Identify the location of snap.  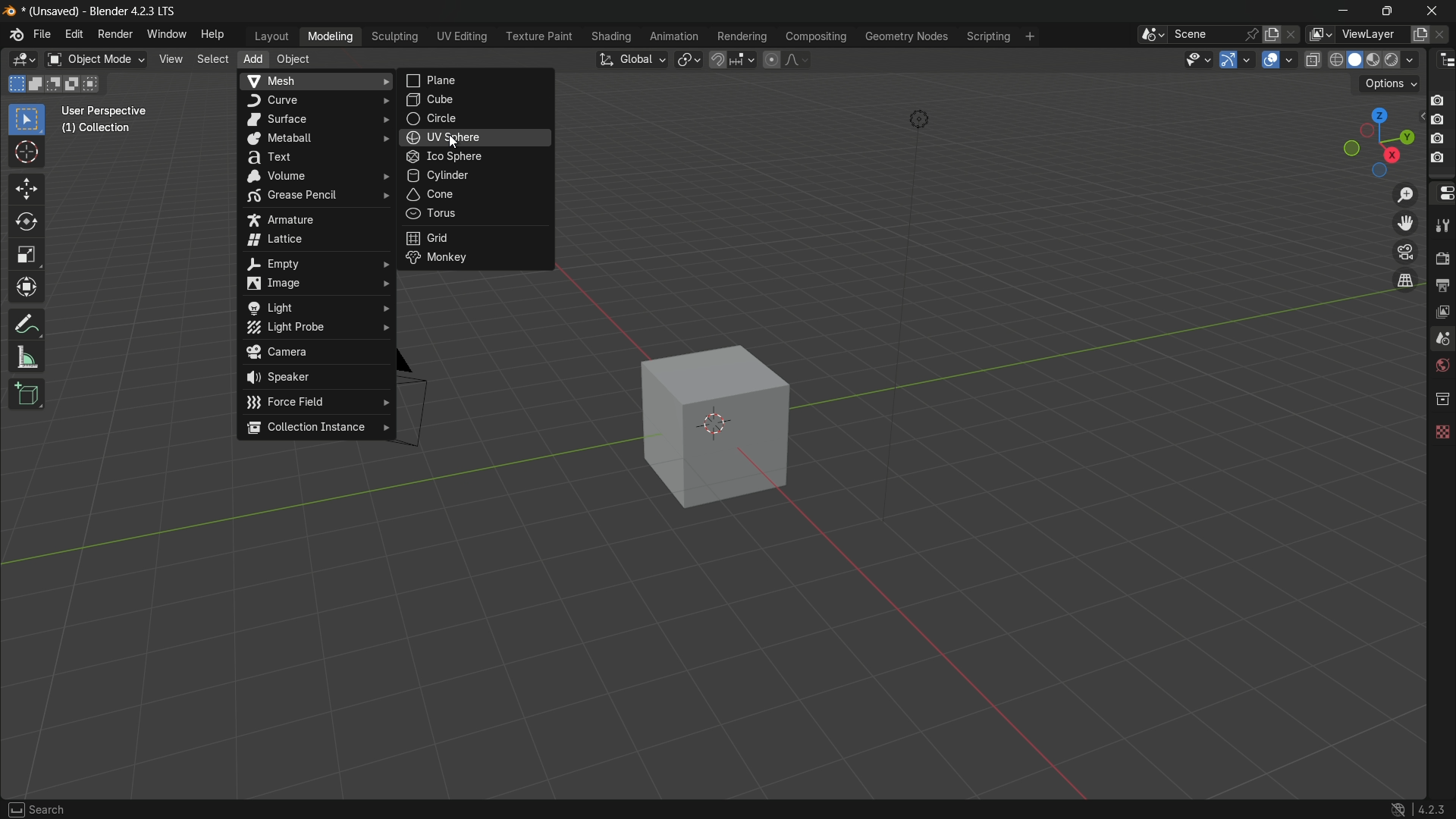
(732, 59).